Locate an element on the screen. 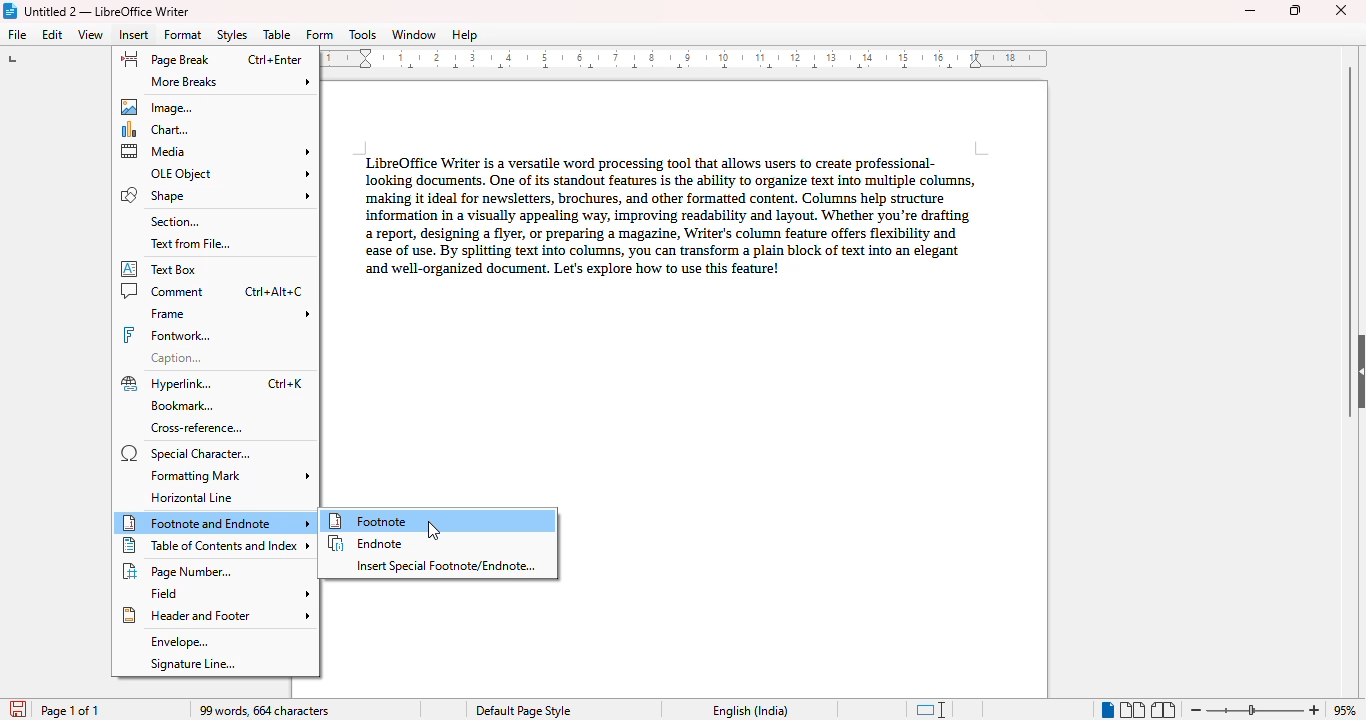  minimize is located at coordinates (1250, 11).